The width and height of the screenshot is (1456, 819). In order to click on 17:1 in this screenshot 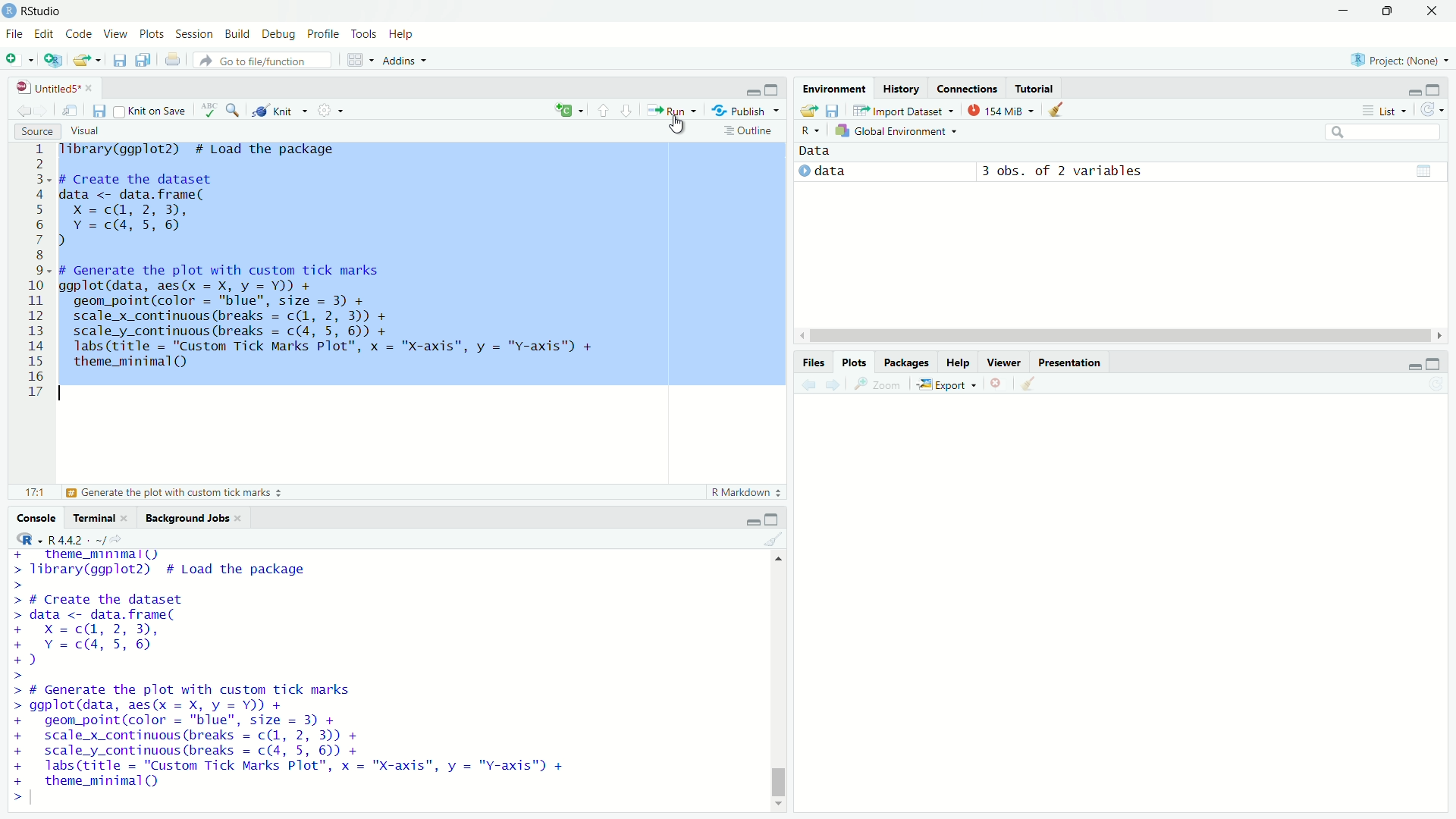, I will do `click(27, 492)`.